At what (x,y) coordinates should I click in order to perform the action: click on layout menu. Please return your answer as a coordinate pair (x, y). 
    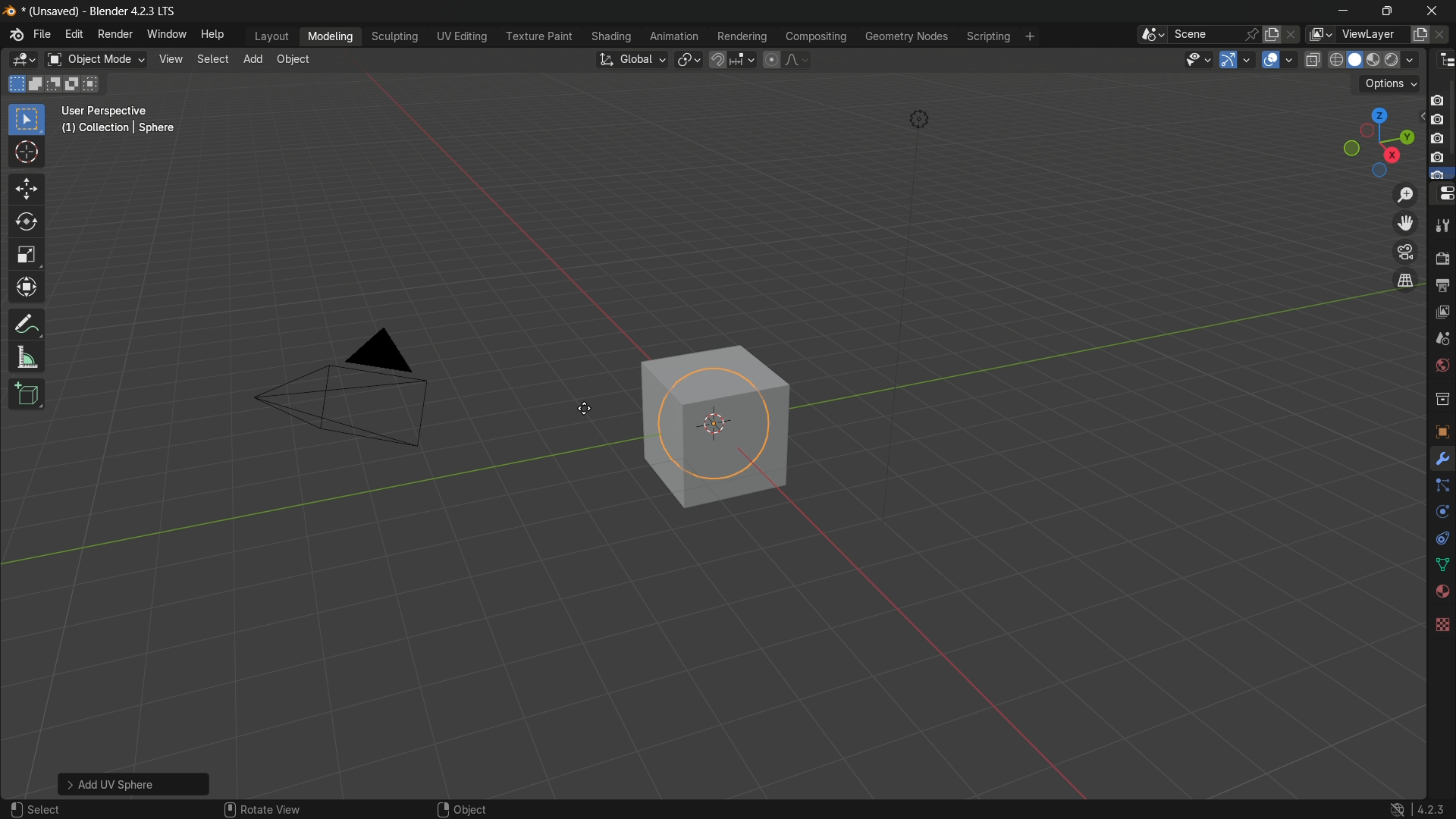
    Looking at the image, I should click on (270, 36).